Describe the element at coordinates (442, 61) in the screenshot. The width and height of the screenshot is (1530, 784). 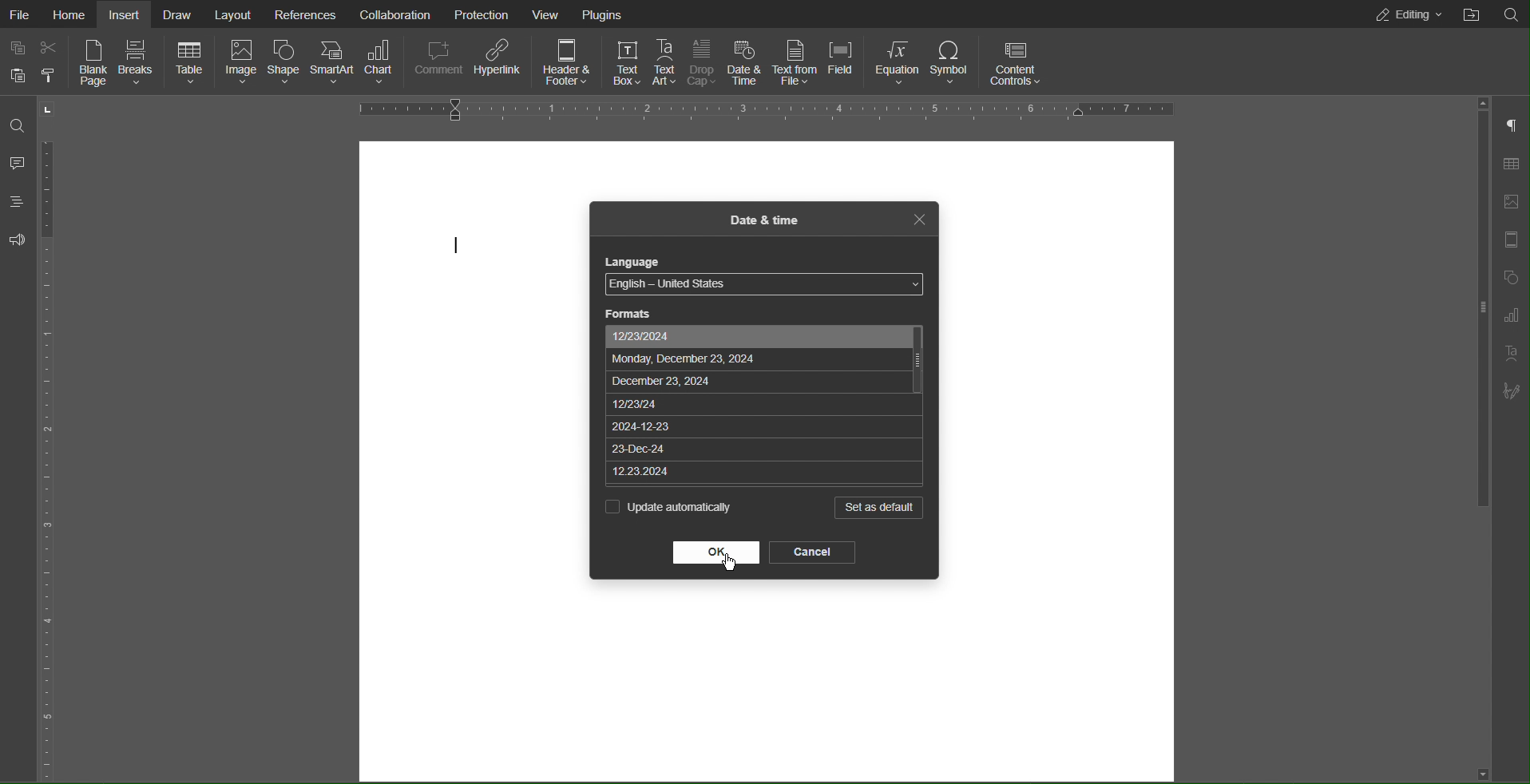
I see `Comment` at that location.